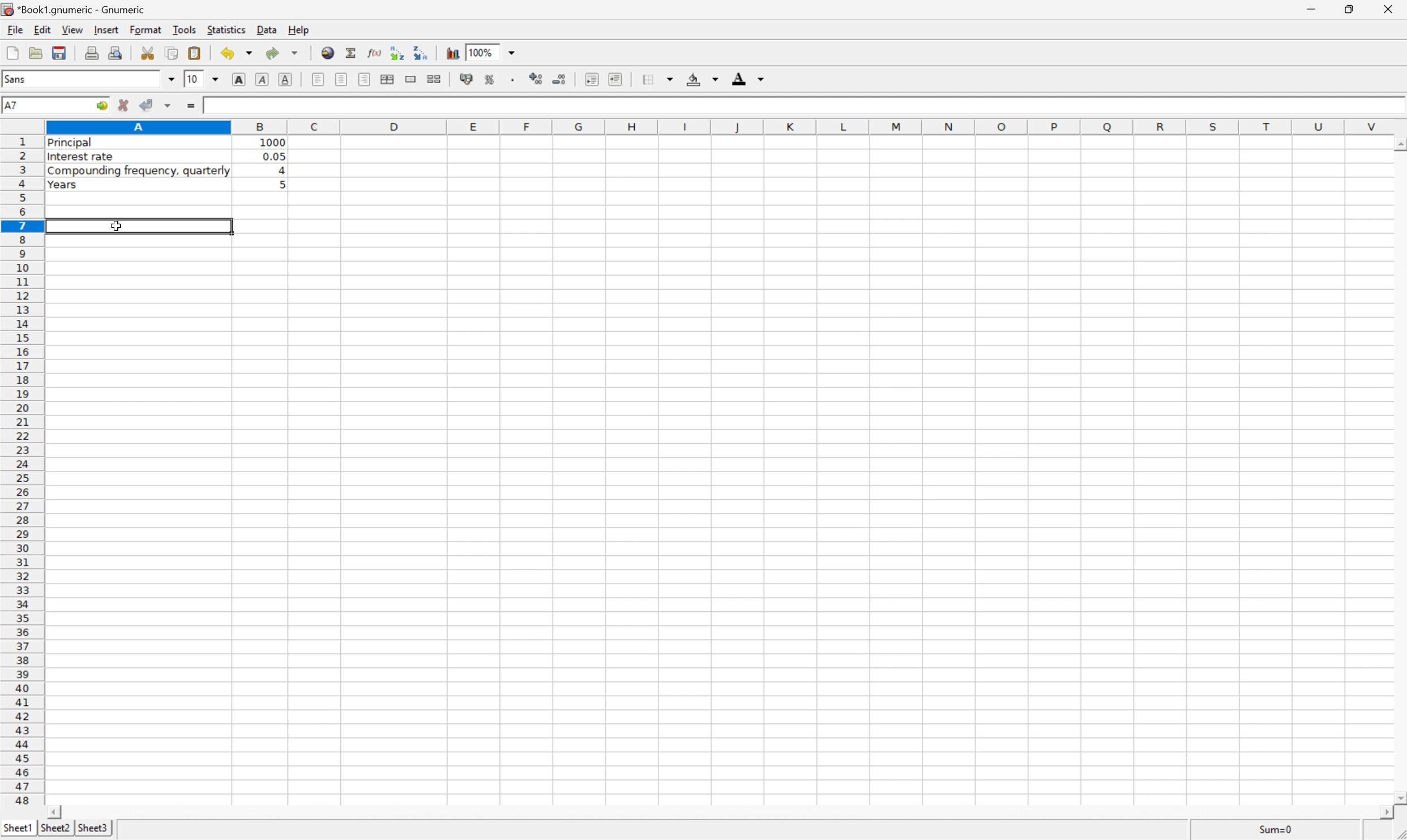 The height and width of the screenshot is (840, 1407). Describe the element at coordinates (238, 78) in the screenshot. I see `bold` at that location.